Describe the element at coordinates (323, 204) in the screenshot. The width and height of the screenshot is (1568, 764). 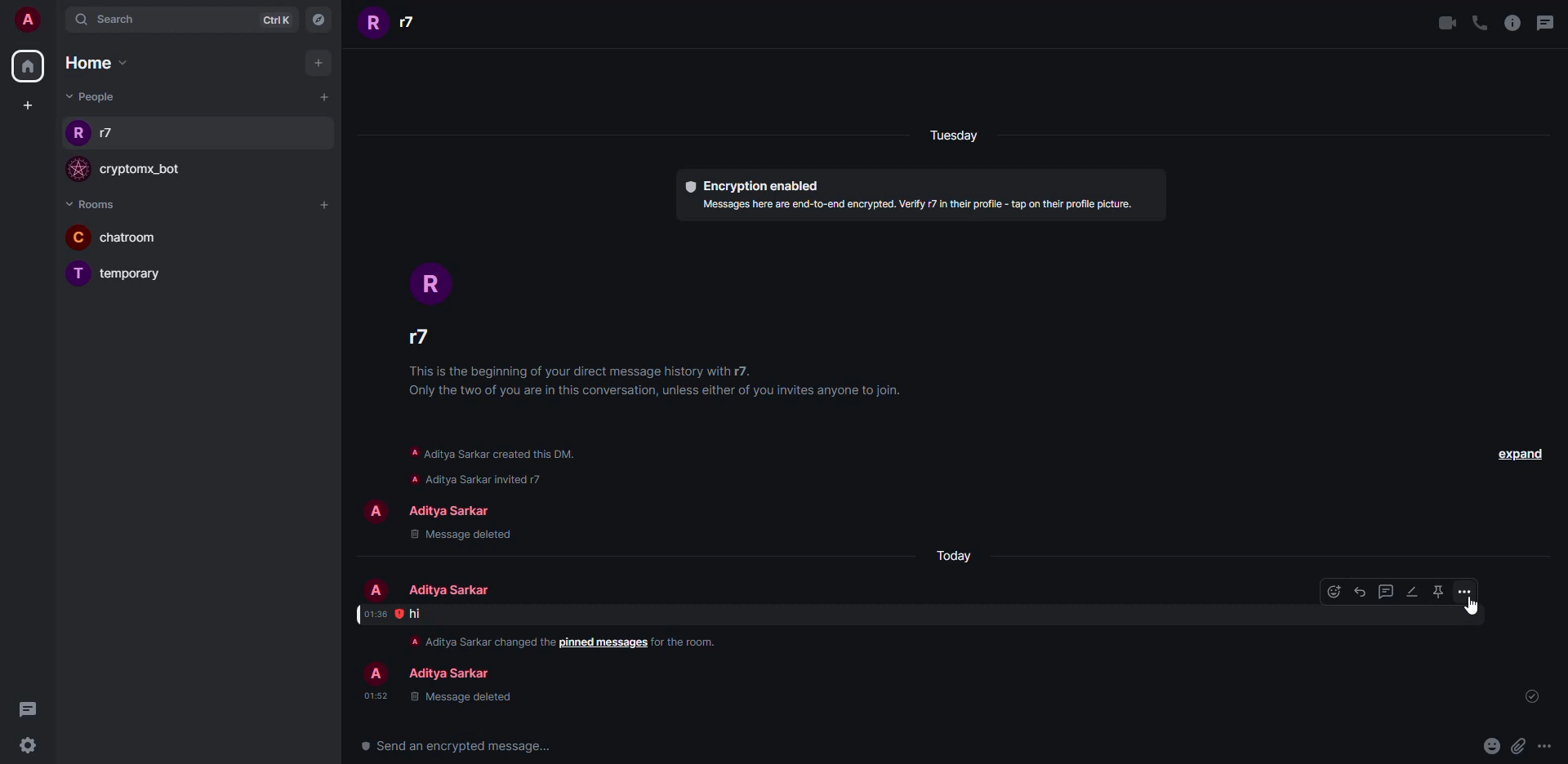
I see `add` at that location.